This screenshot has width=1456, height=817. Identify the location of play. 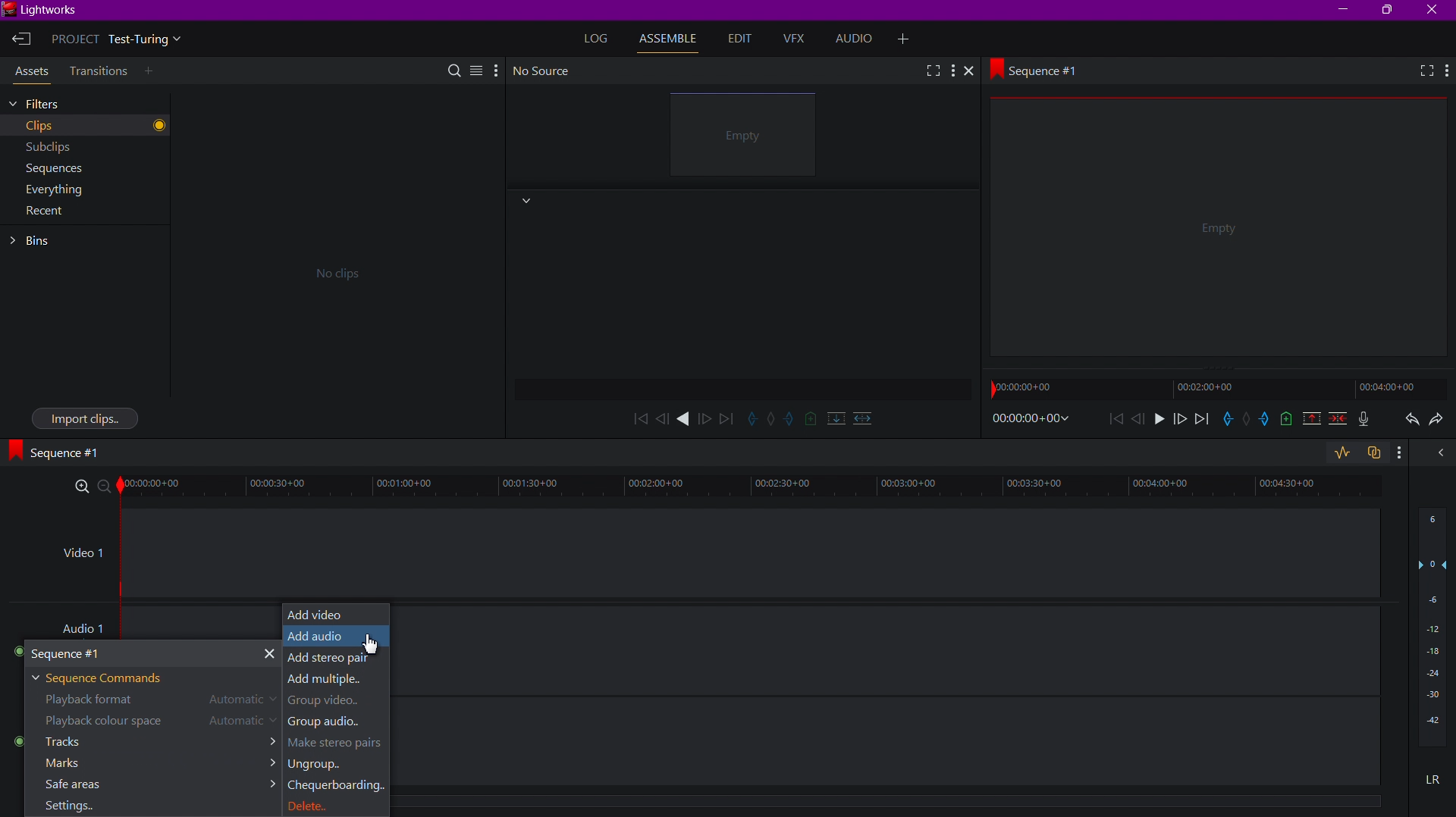
(1158, 421).